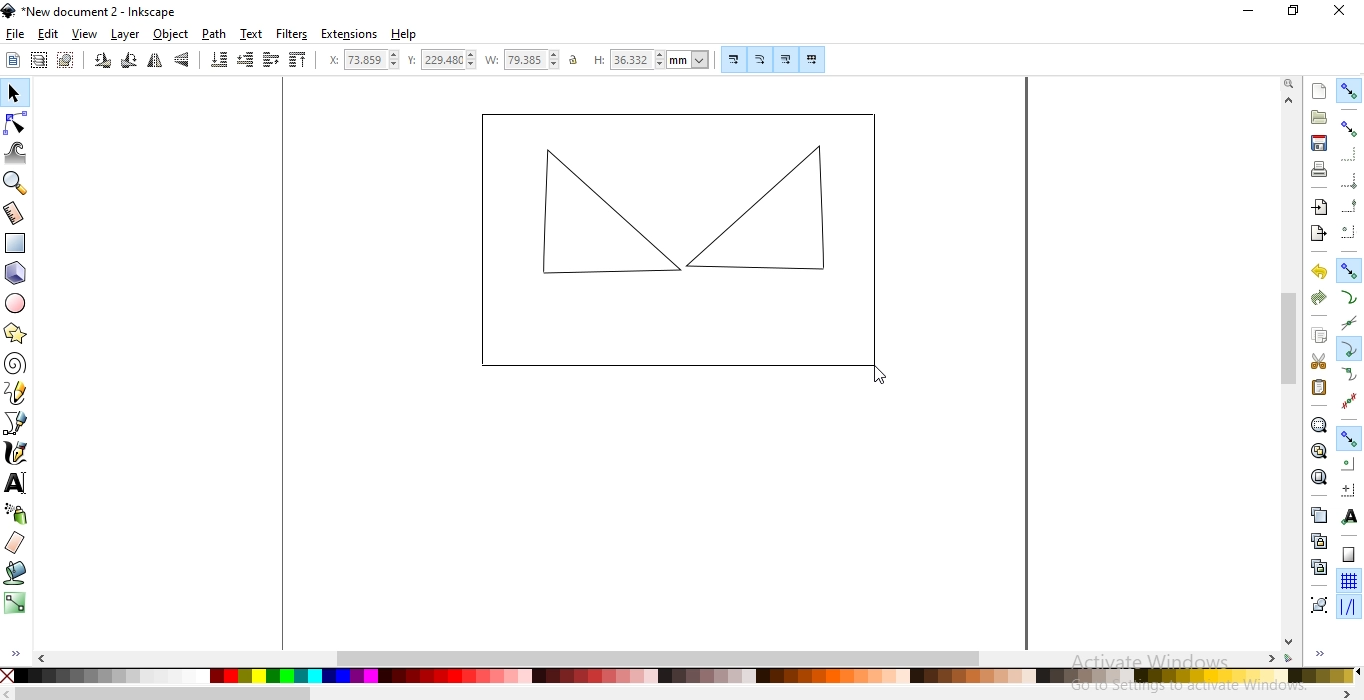 The image size is (1364, 700). What do you see at coordinates (1350, 438) in the screenshot?
I see `snap other points` at bounding box center [1350, 438].